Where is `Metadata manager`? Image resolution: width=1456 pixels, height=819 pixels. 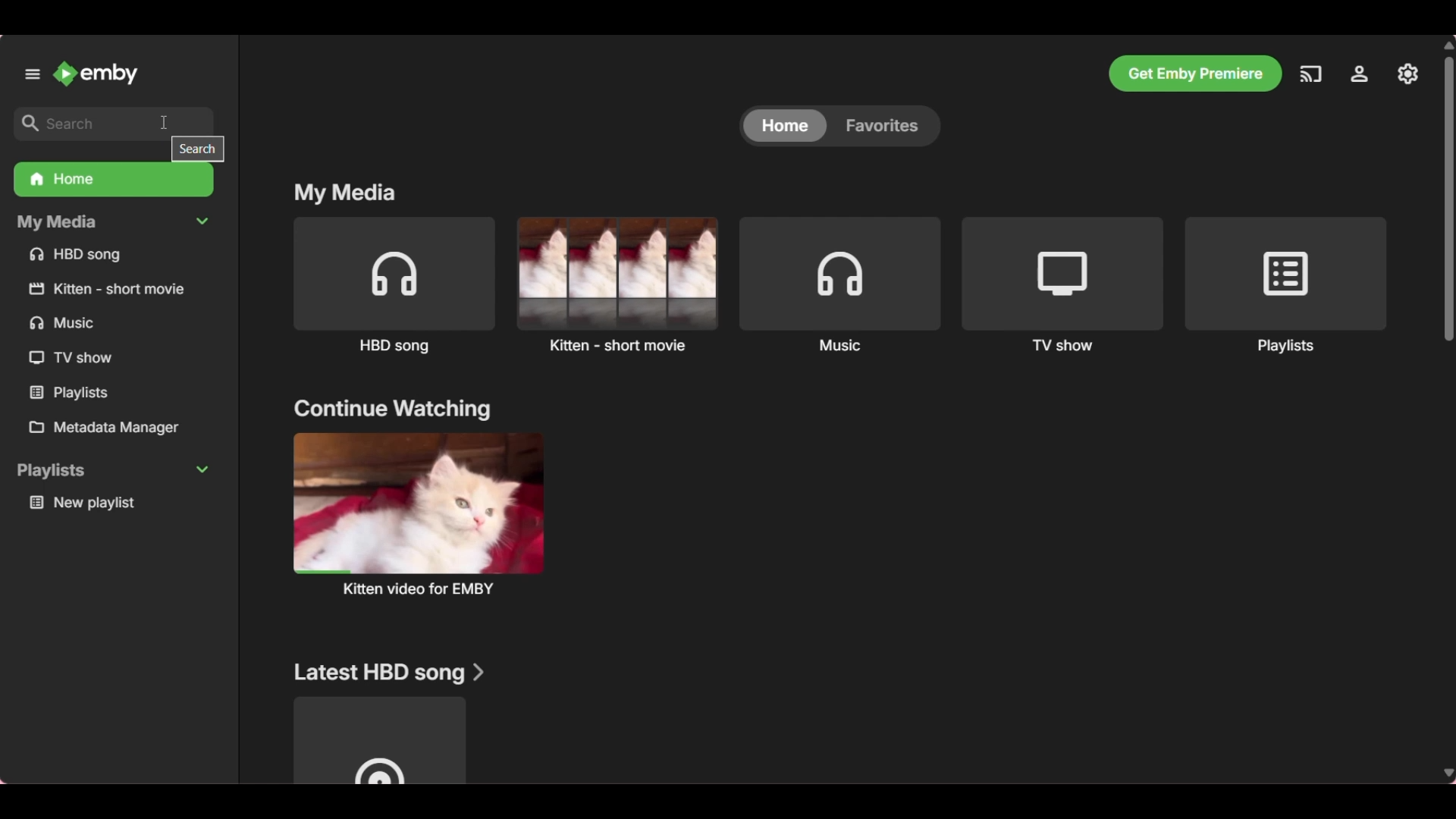
Metadata manager is located at coordinates (117, 428).